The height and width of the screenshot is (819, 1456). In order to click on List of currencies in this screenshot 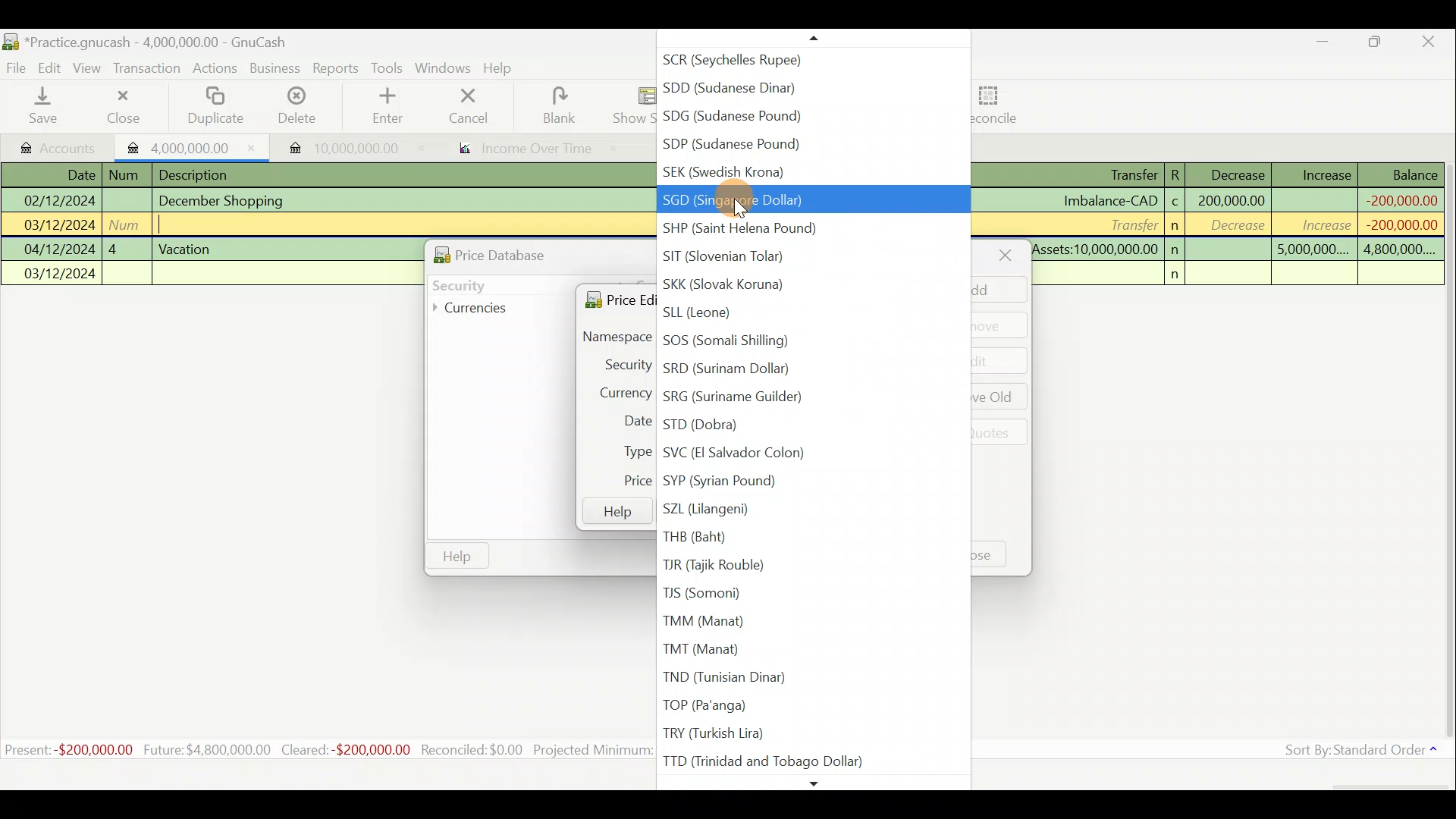, I will do `click(811, 109)`.